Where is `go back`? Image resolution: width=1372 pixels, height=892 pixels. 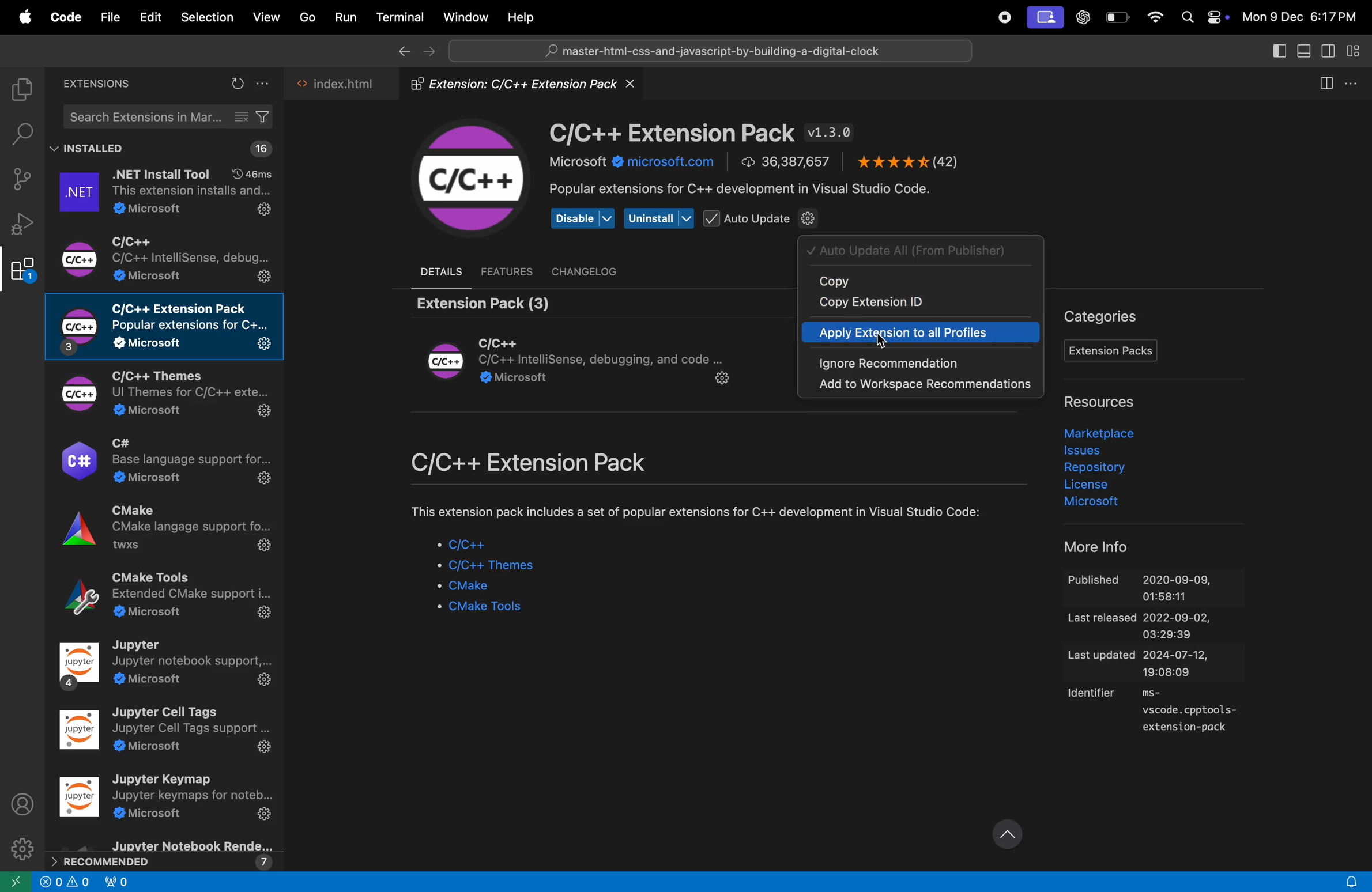 go back is located at coordinates (402, 50).